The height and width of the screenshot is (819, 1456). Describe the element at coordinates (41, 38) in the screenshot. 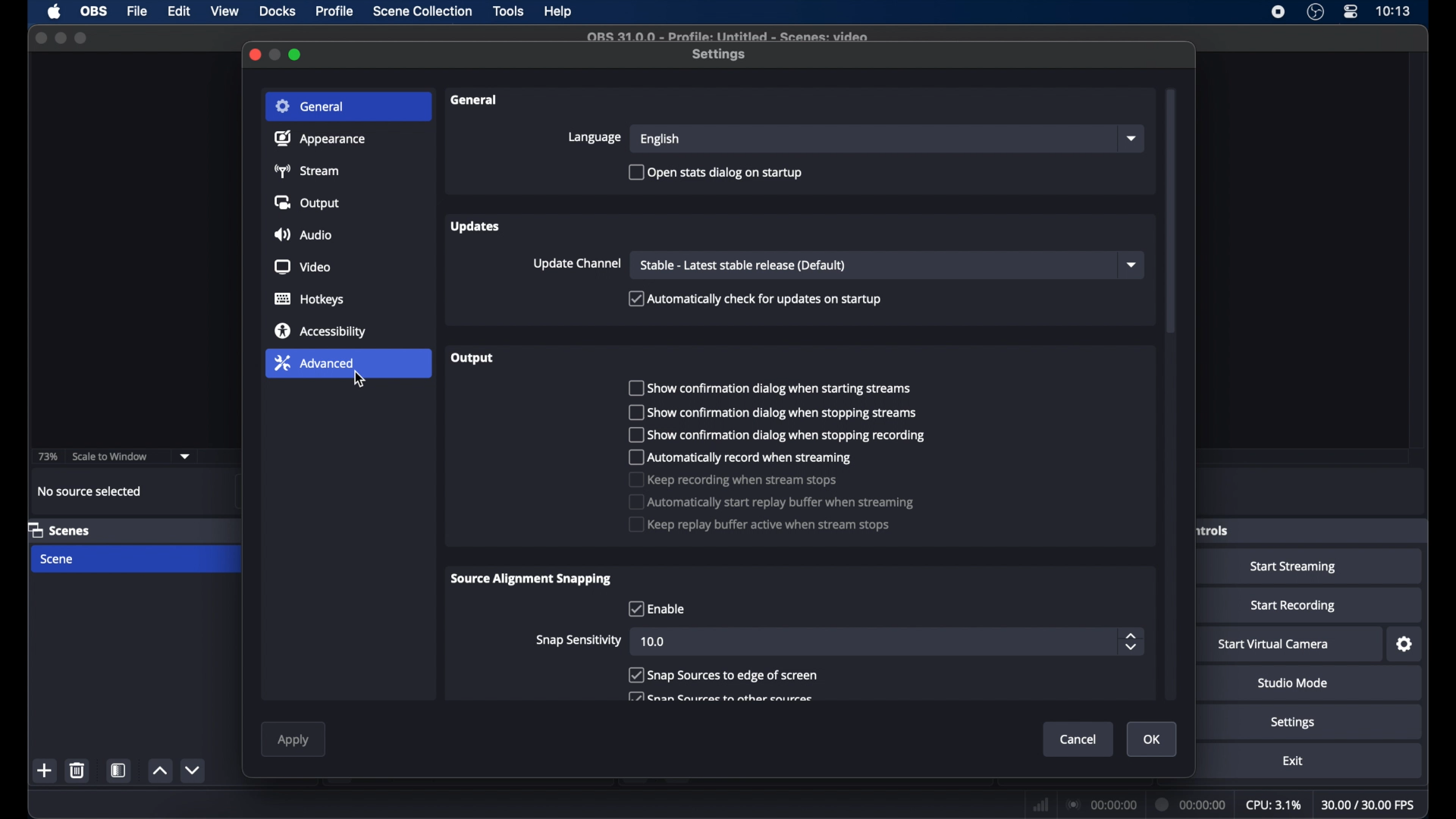

I see `close` at that location.